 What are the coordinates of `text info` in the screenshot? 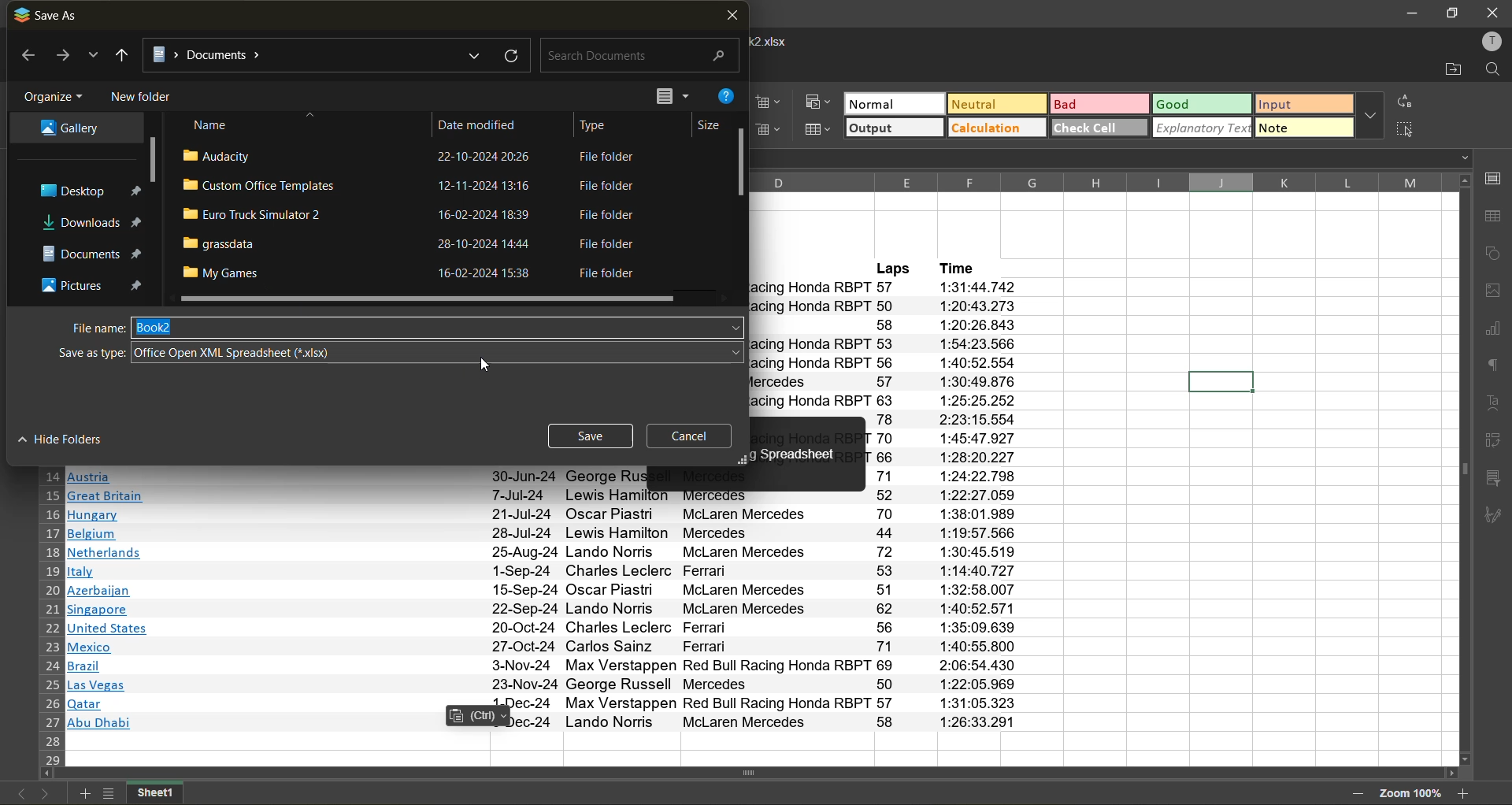 It's located at (543, 553).